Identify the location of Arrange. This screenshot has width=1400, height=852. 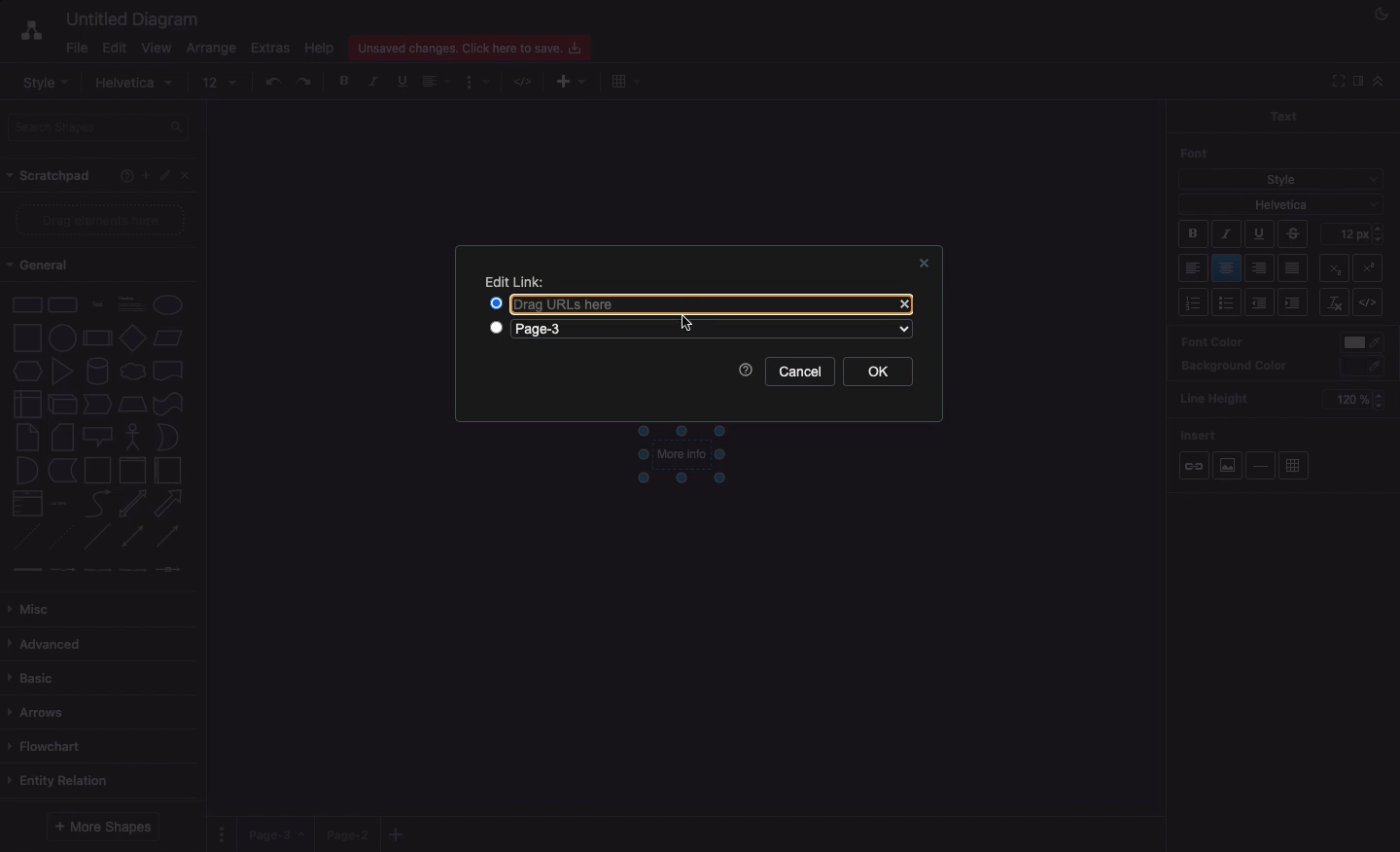
(208, 49).